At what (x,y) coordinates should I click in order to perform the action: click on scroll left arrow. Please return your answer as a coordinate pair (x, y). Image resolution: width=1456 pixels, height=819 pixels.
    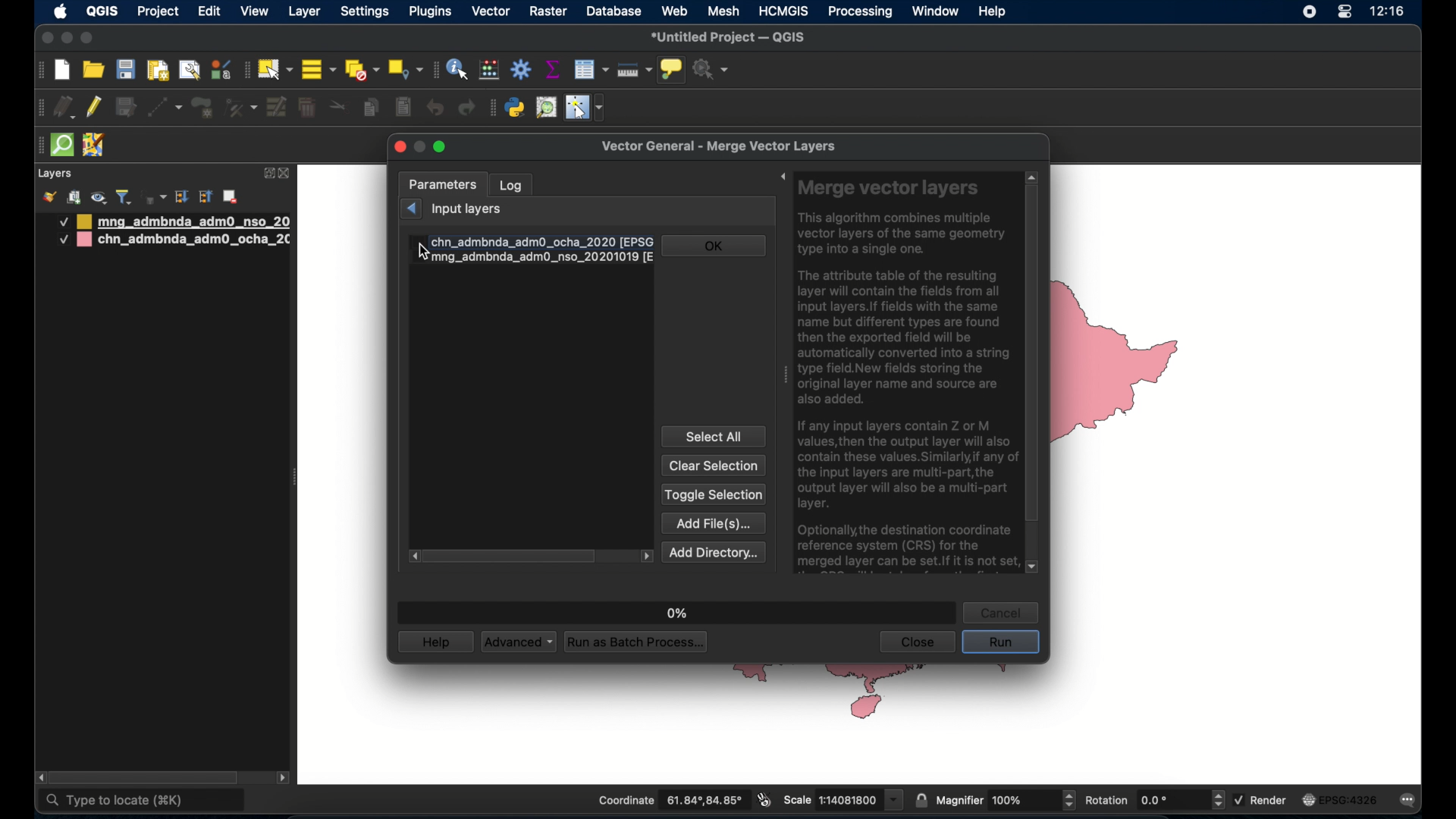
    Looking at the image, I should click on (647, 556).